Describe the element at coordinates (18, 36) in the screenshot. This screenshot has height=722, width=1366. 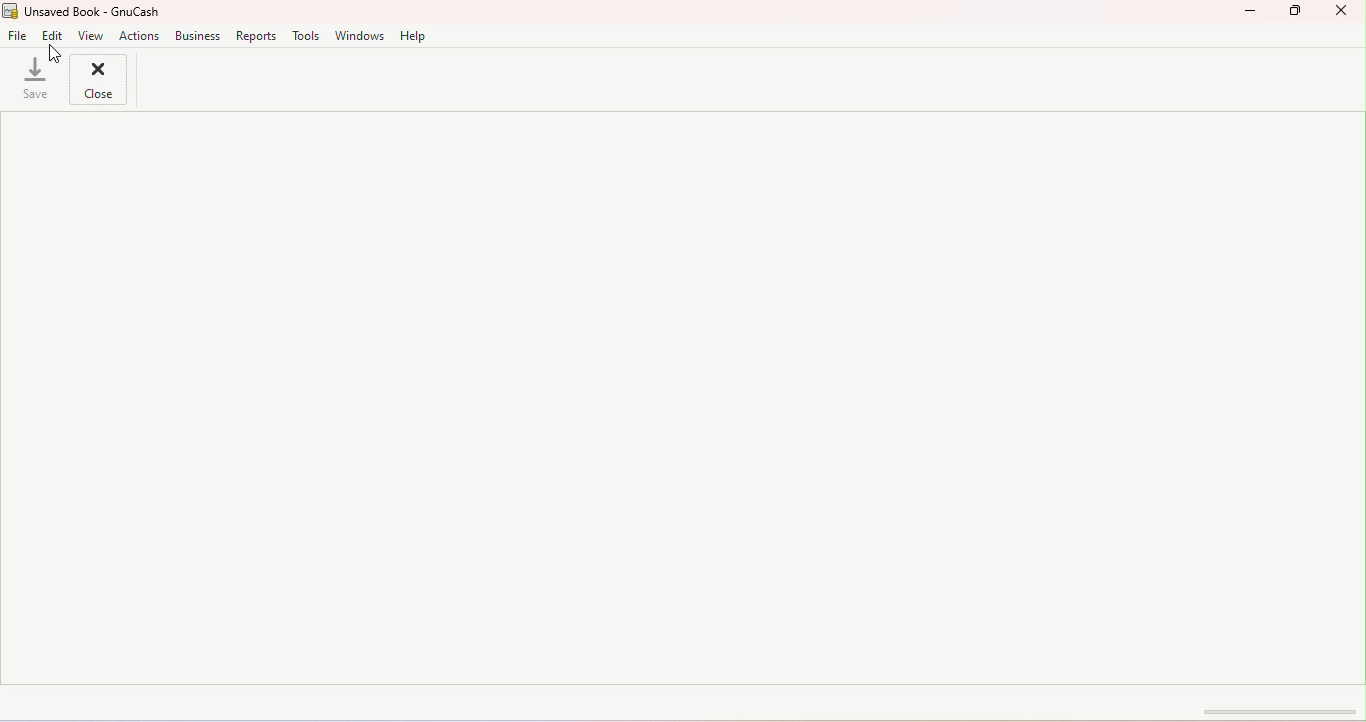
I see `File` at that location.